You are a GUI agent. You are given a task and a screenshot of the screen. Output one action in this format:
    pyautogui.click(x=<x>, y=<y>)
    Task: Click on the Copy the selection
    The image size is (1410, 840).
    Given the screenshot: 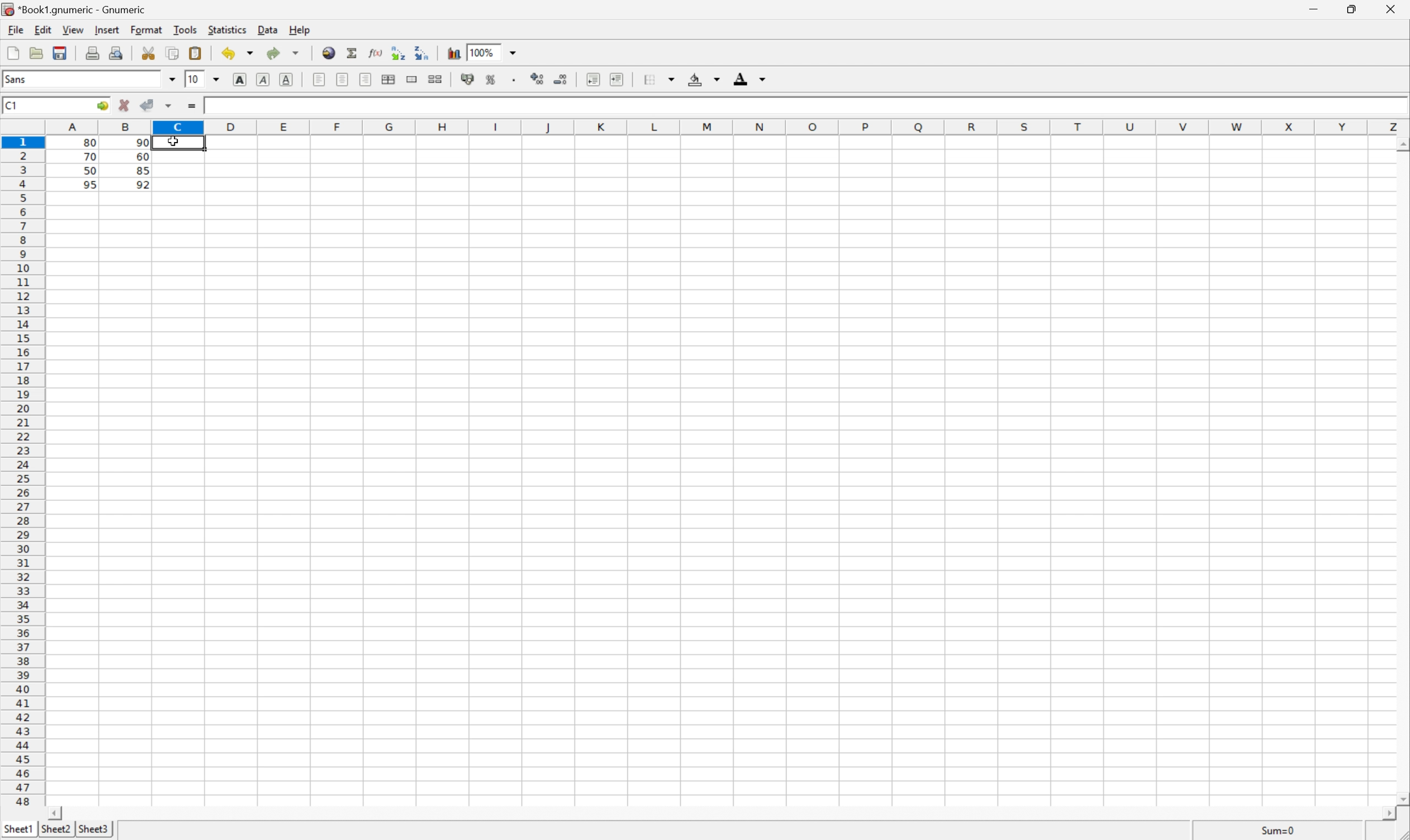 What is the action you would take?
    pyautogui.click(x=174, y=52)
    